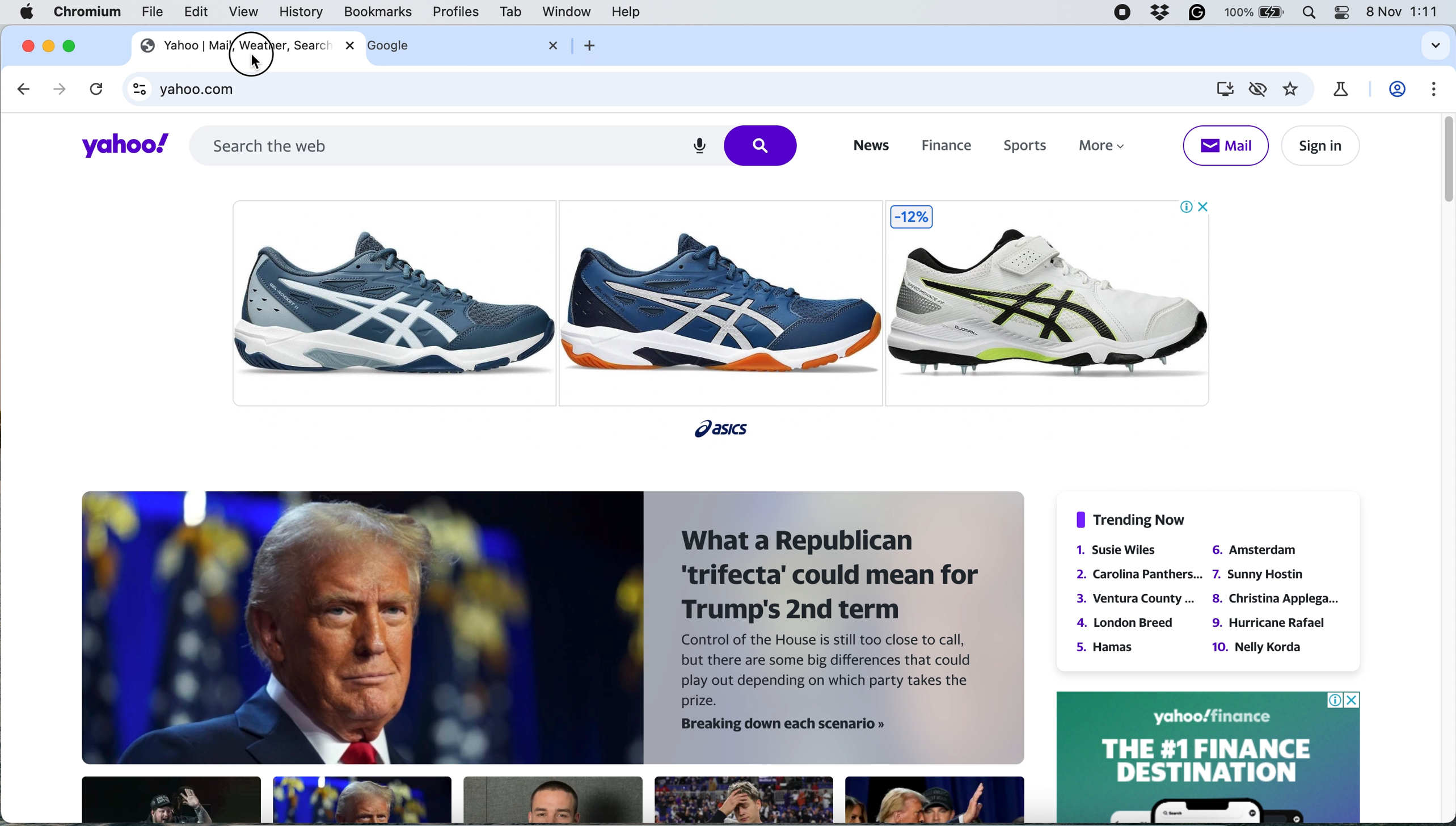 The image size is (1456, 826). What do you see at coordinates (1310, 14) in the screenshot?
I see `spotlight search` at bounding box center [1310, 14].